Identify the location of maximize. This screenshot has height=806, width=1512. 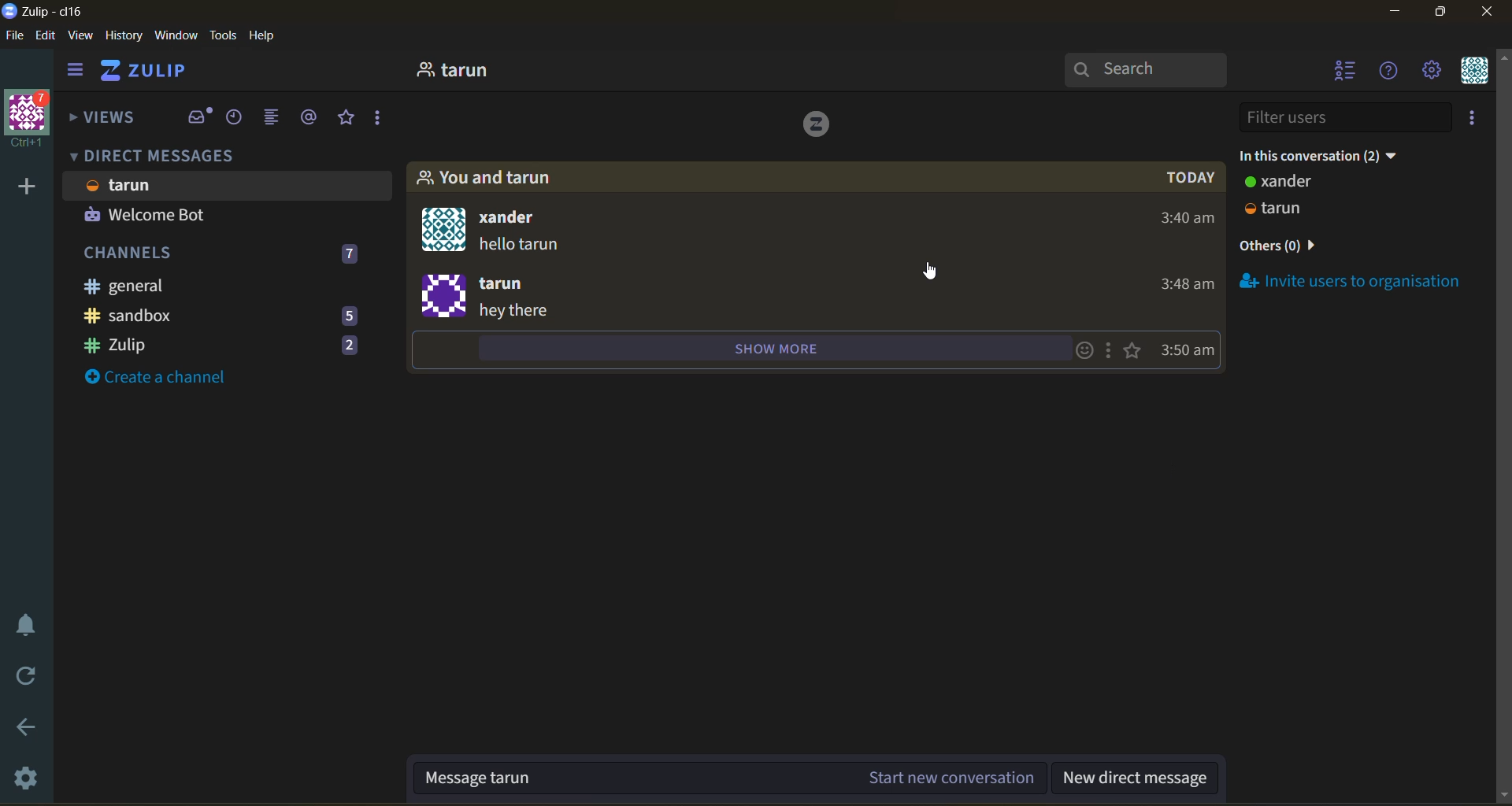
(1448, 13).